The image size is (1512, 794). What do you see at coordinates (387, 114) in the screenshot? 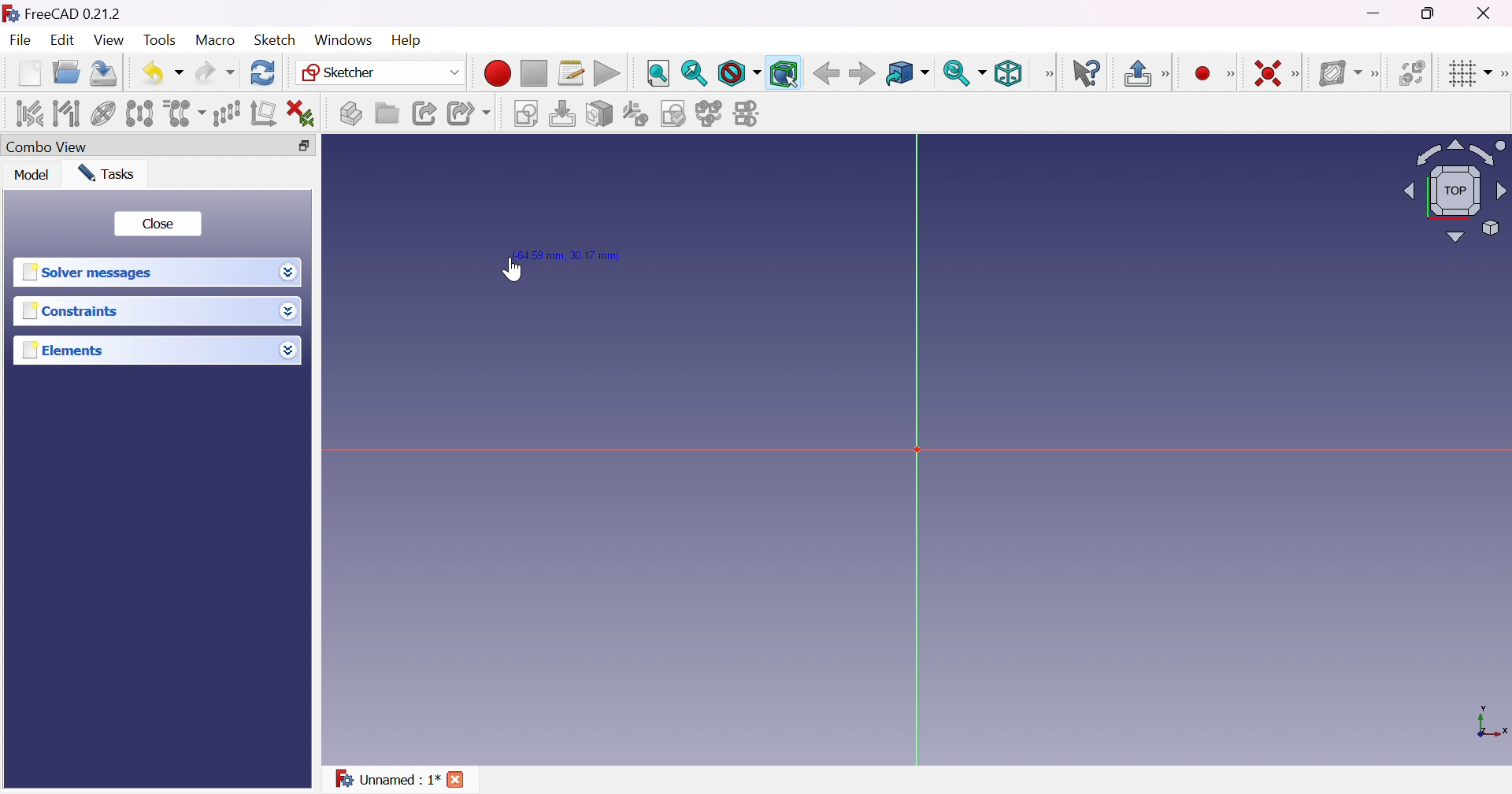
I see `Create group` at bounding box center [387, 114].